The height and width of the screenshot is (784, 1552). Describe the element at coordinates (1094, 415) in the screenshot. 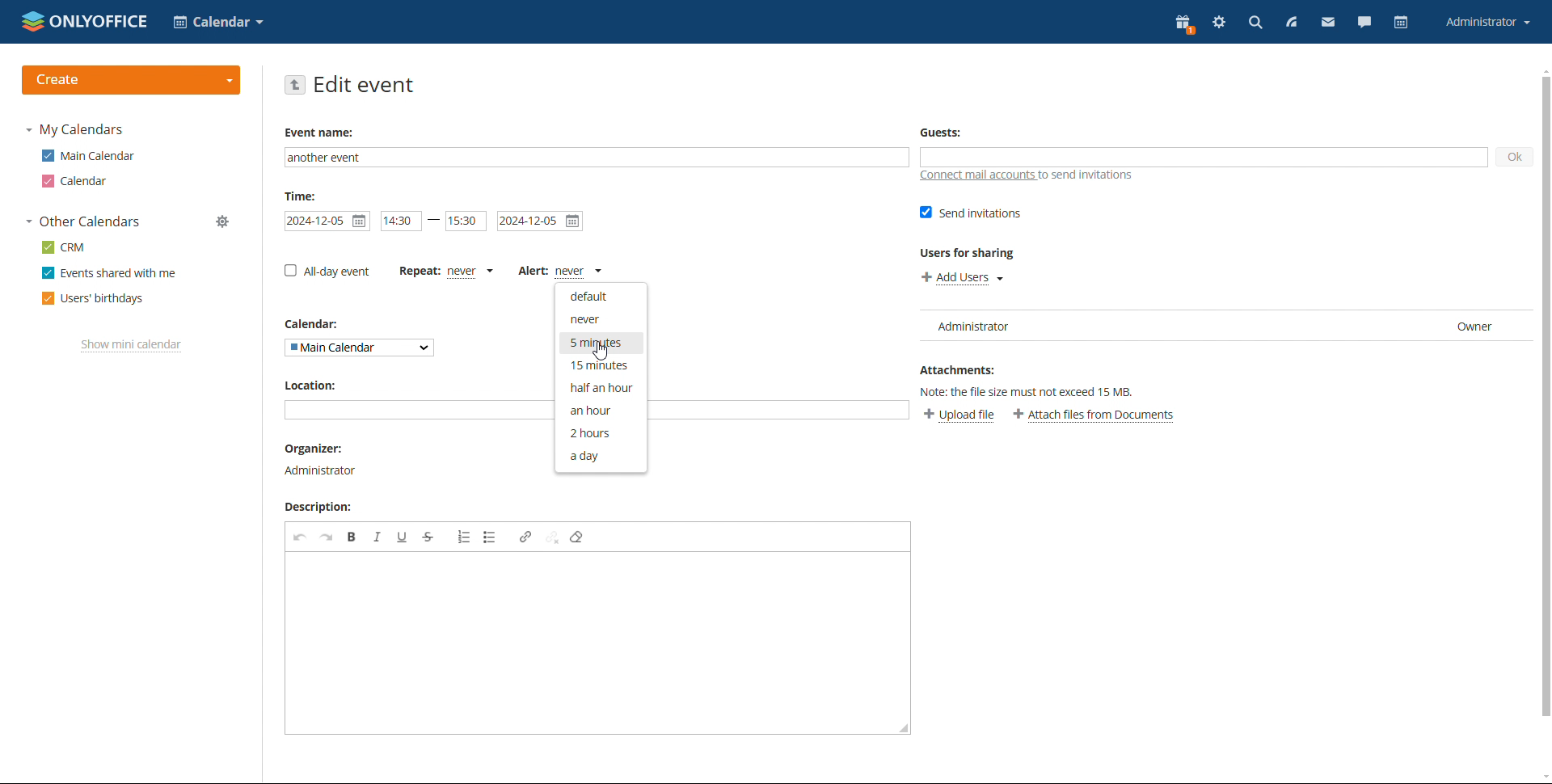

I see `attach files from documents` at that location.